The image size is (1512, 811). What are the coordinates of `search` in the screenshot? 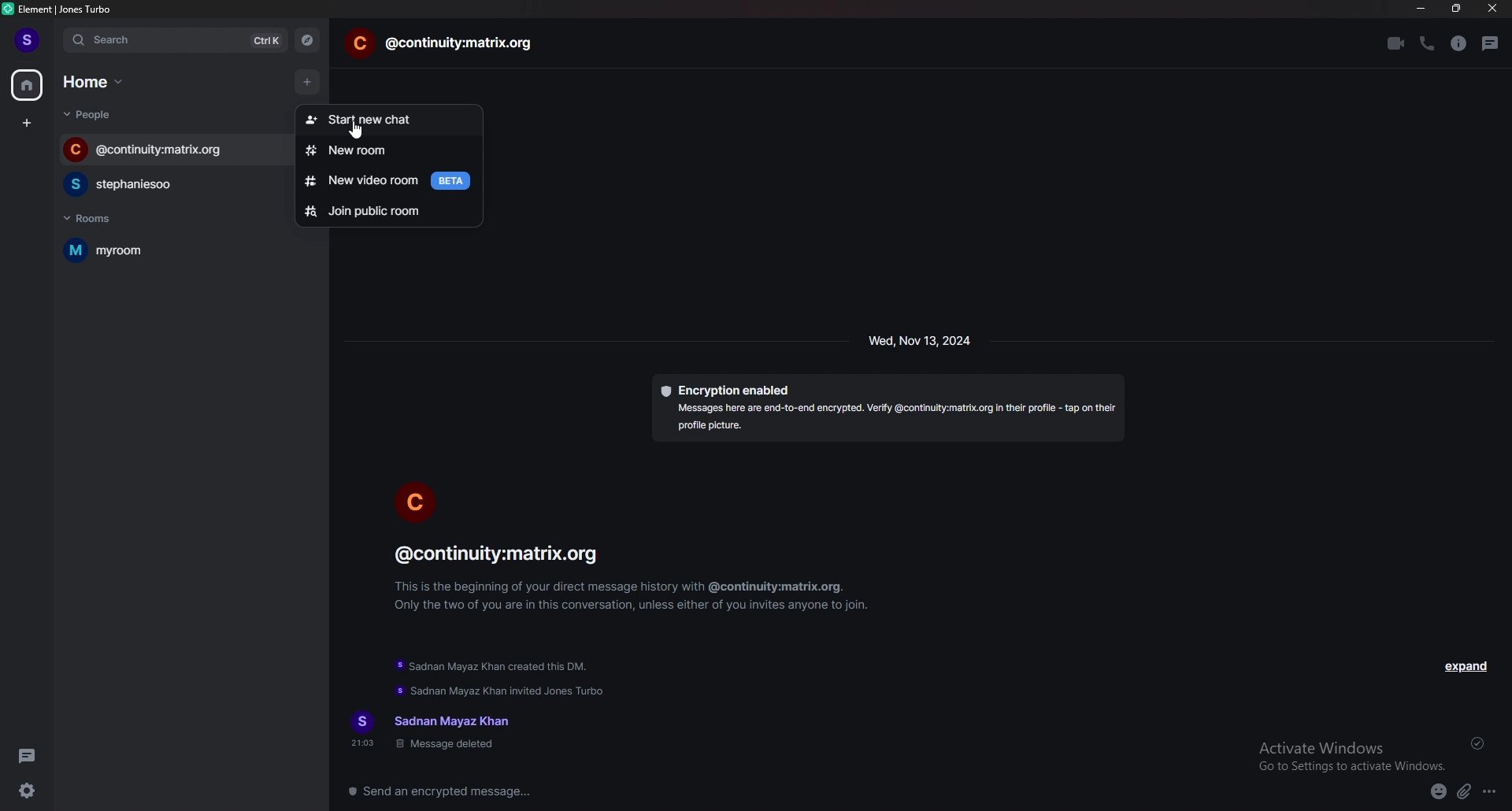 It's located at (177, 41).